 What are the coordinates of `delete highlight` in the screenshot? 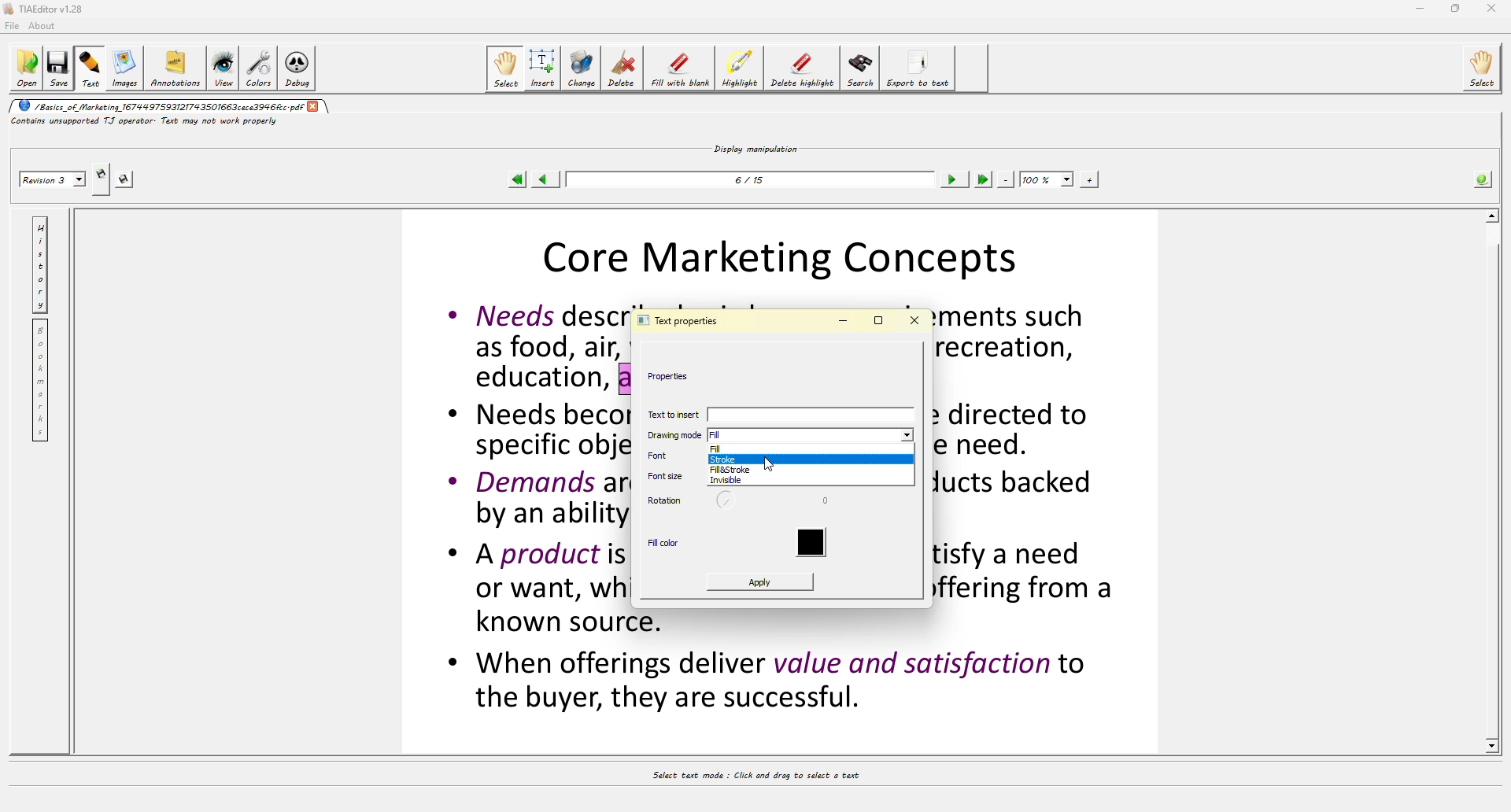 It's located at (800, 66).